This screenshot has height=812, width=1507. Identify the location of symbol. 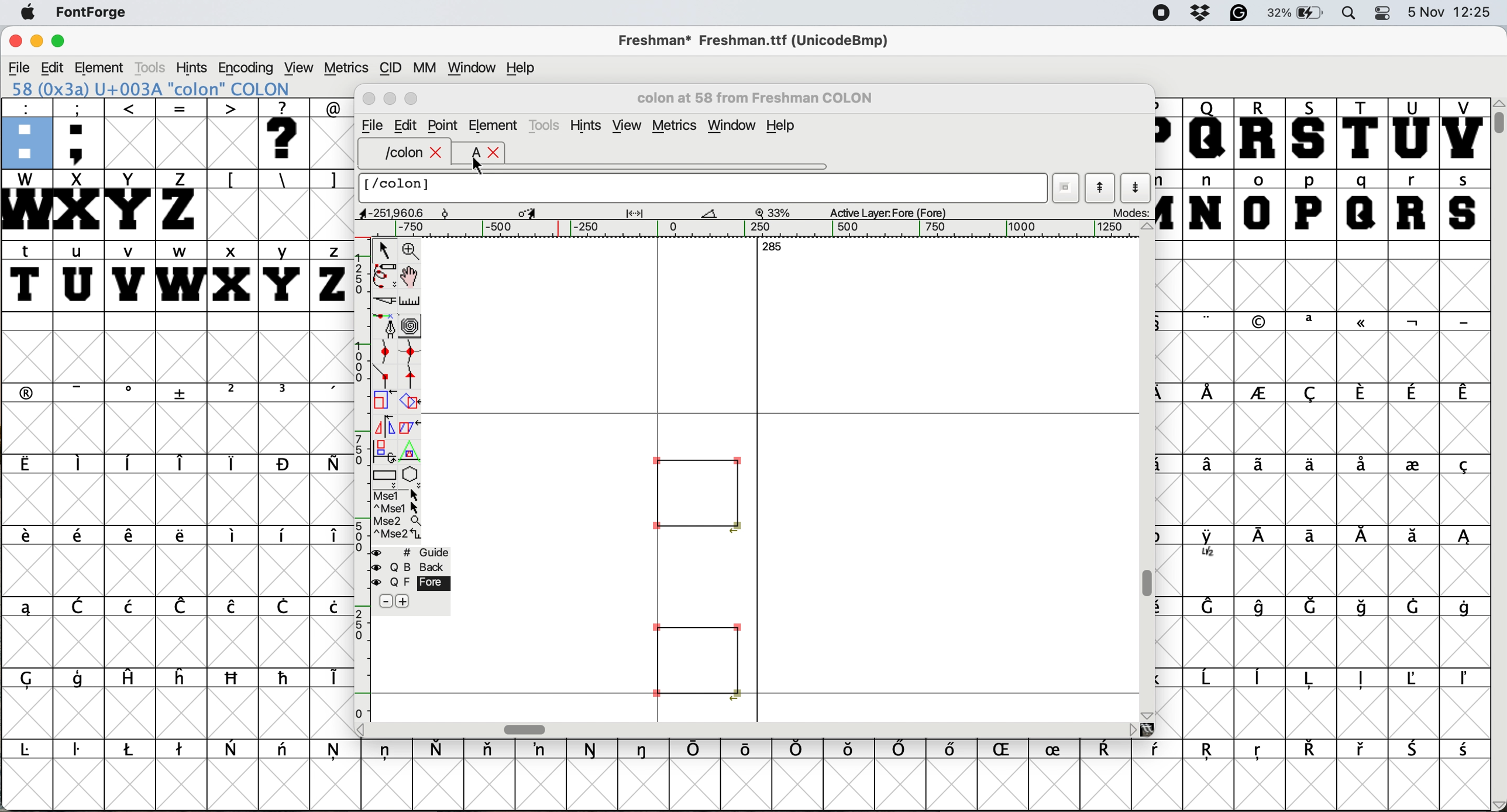
(441, 748).